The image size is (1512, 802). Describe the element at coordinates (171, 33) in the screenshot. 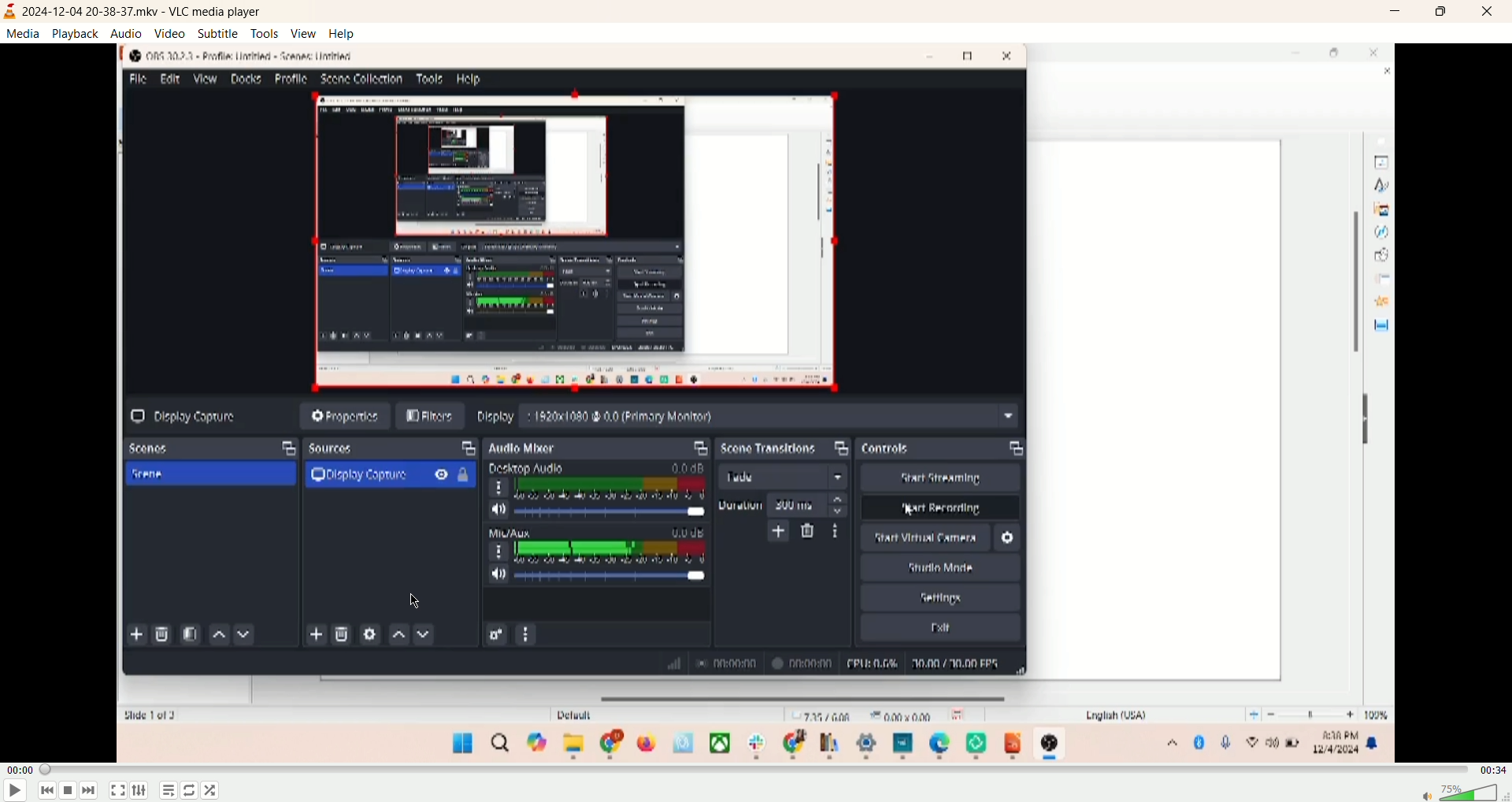

I see `video` at that location.